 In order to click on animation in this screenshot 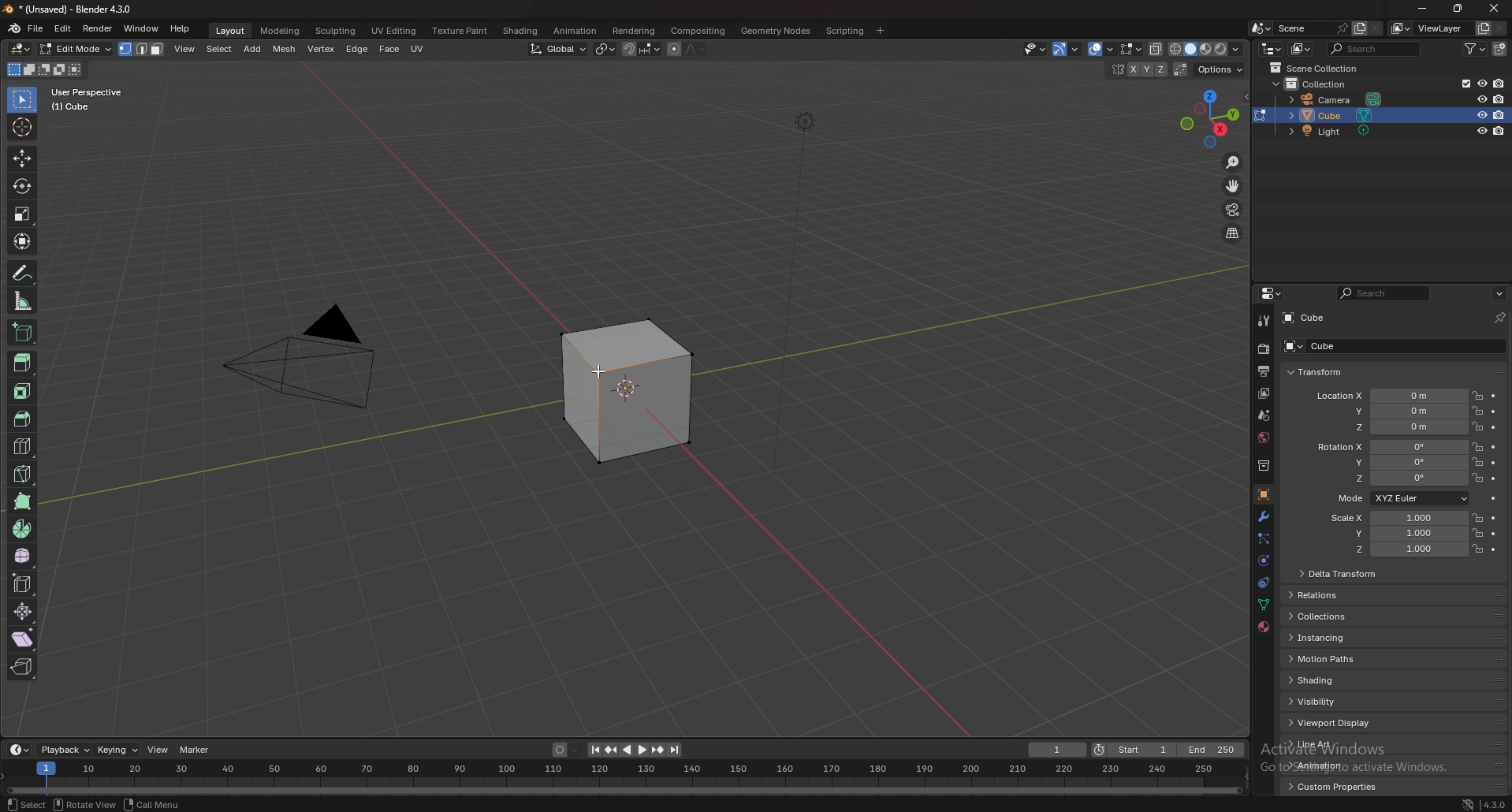, I will do `click(577, 31)`.